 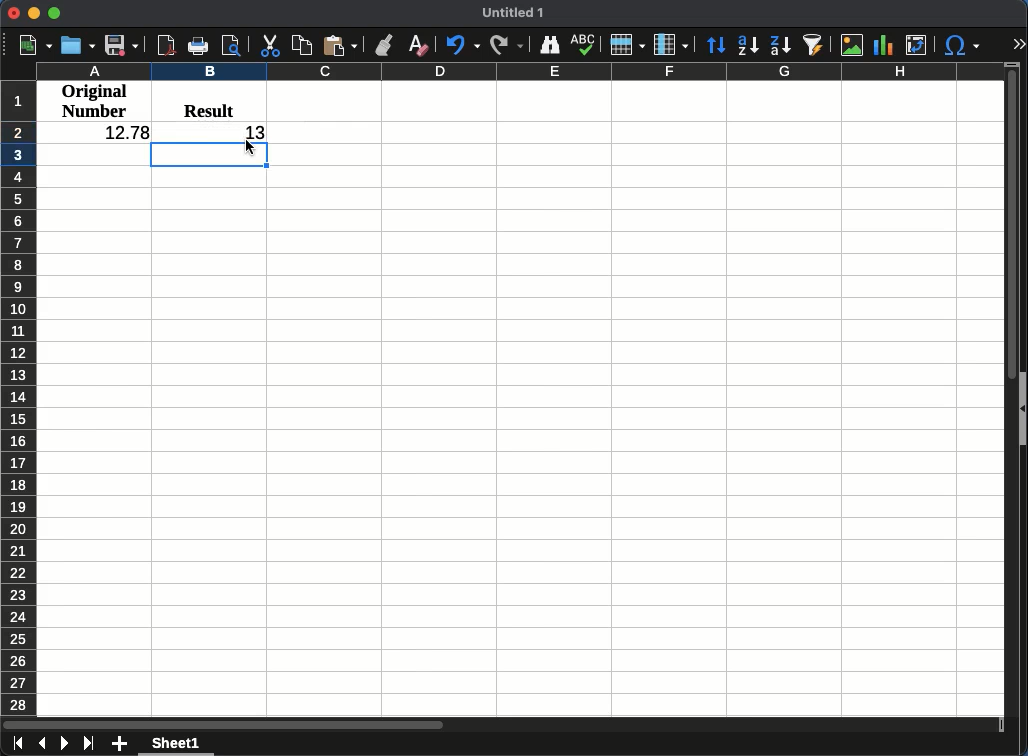 What do you see at coordinates (507, 46) in the screenshot?
I see `Redo` at bounding box center [507, 46].